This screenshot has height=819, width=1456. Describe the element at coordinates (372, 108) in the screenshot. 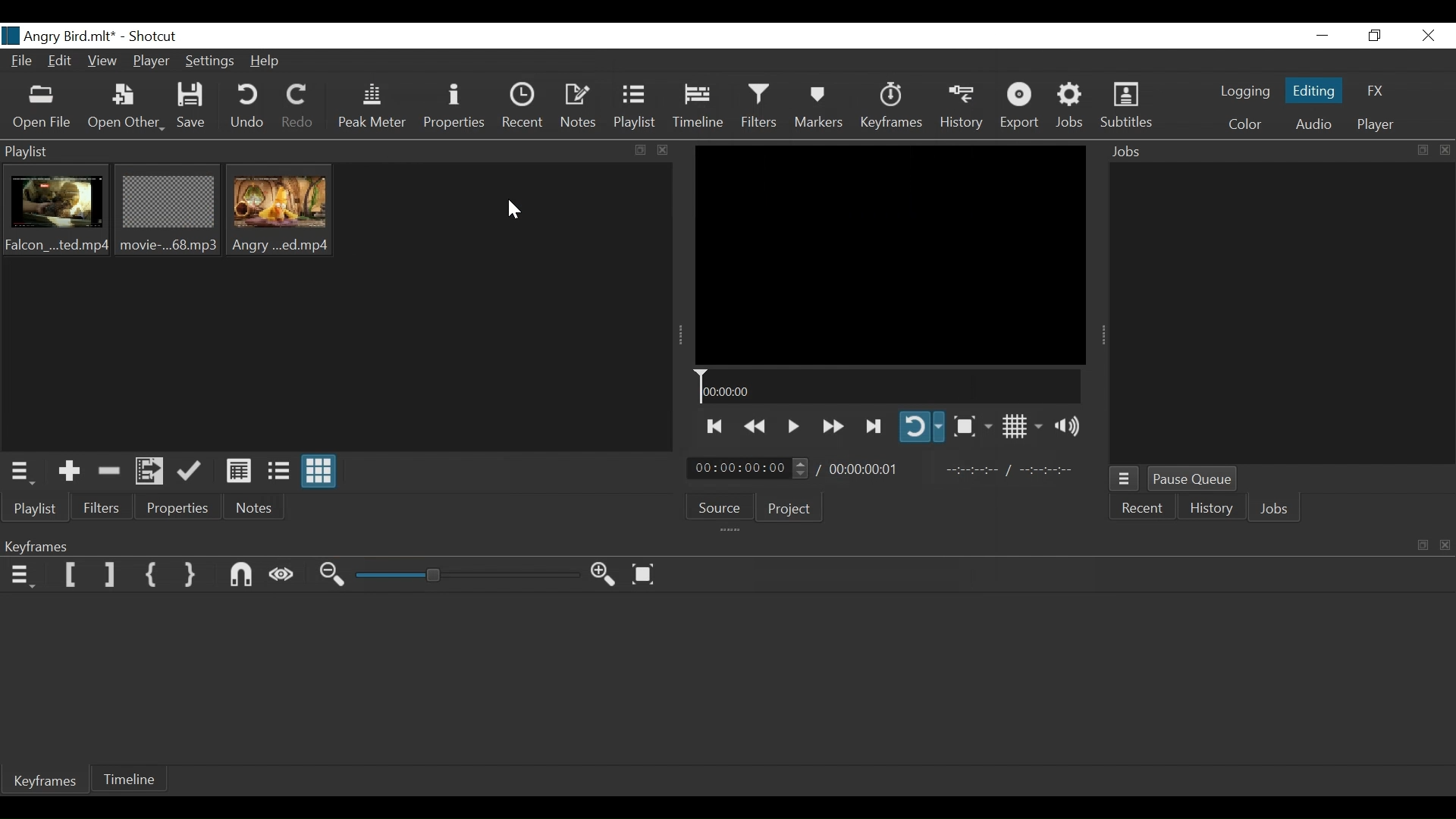

I see `Peak Meter` at that location.